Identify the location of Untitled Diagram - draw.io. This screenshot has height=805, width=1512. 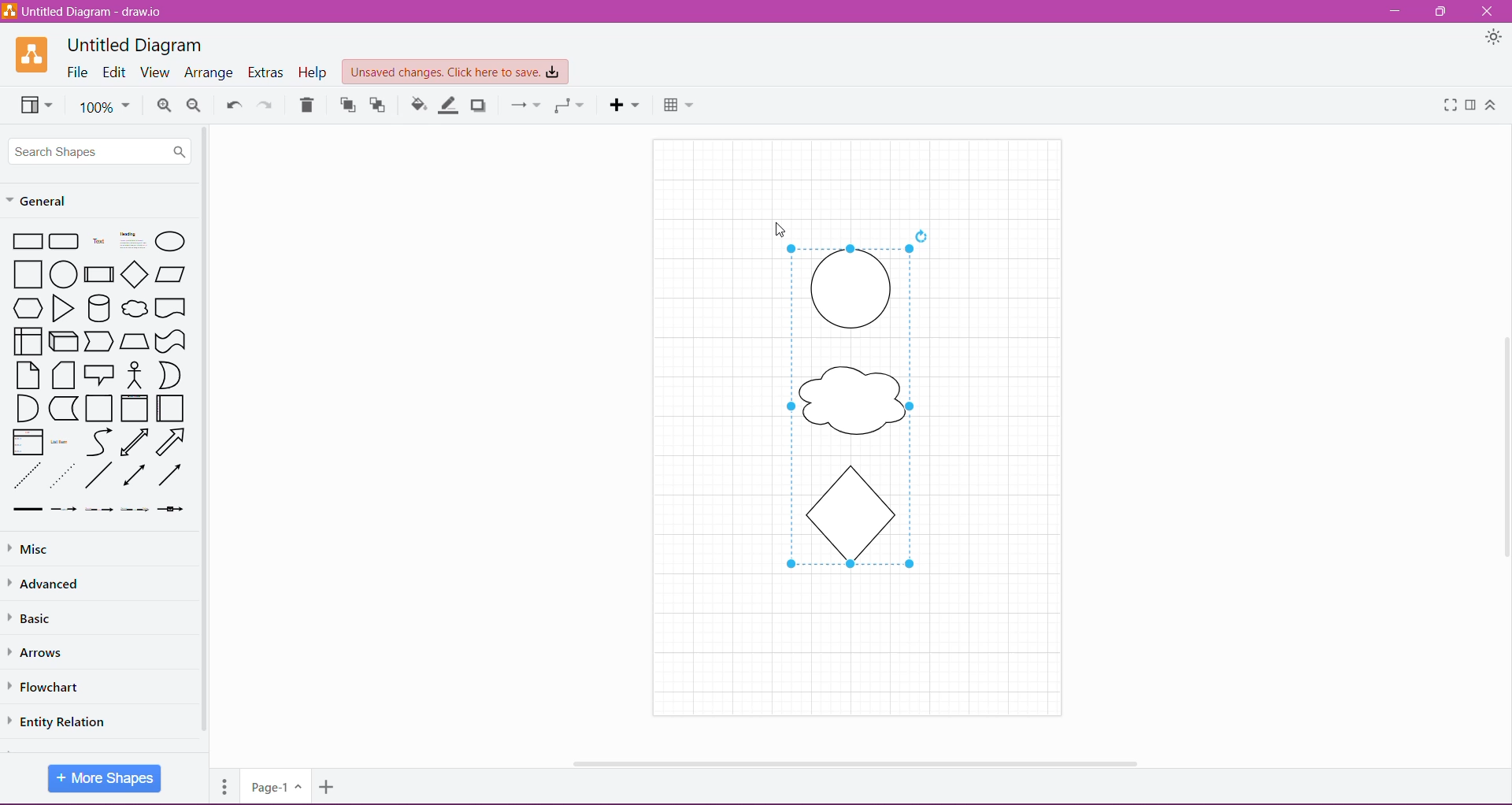
(88, 11).